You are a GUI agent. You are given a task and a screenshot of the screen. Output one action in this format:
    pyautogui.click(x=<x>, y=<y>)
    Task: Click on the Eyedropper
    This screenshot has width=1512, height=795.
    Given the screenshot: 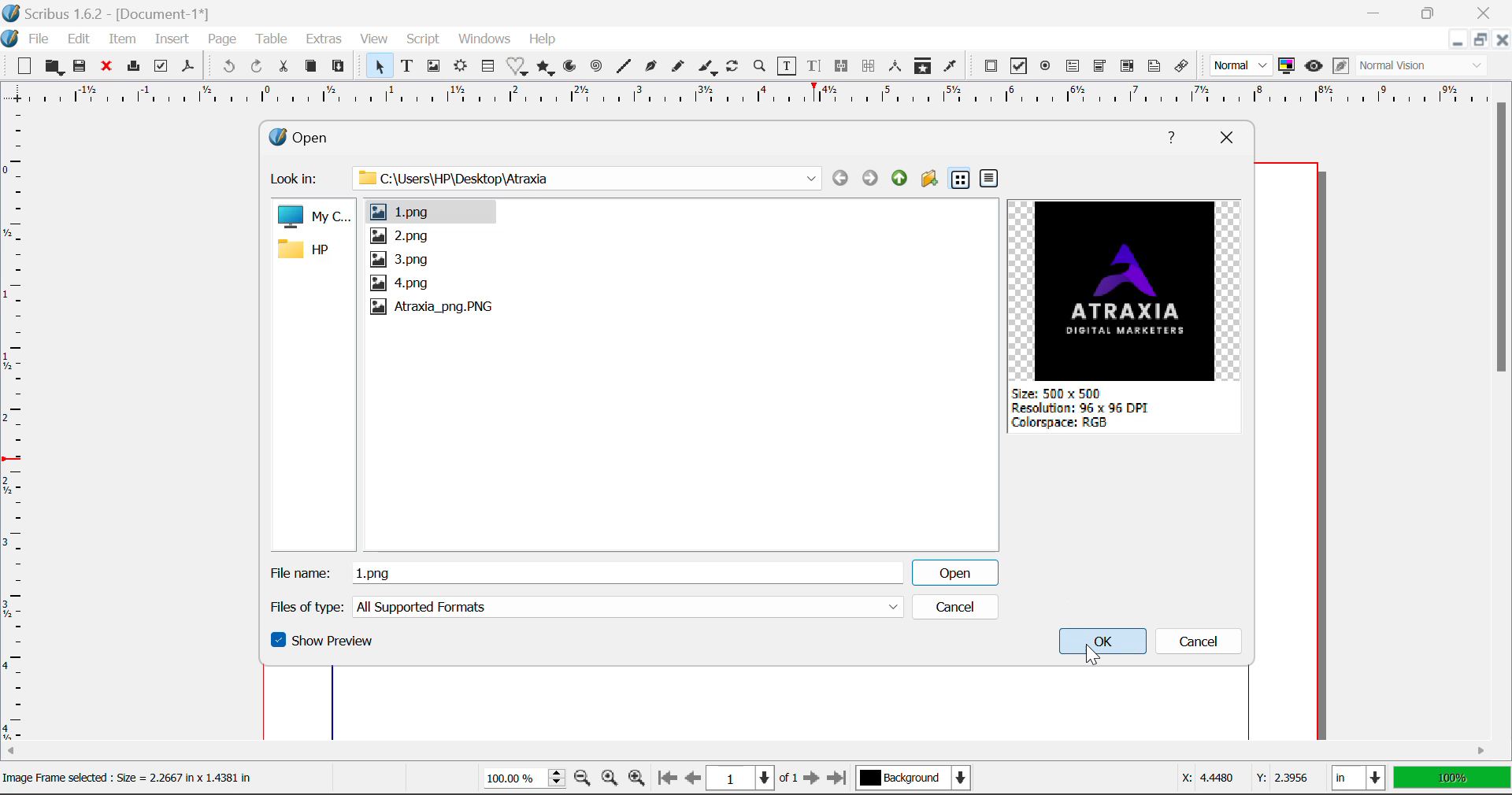 What is the action you would take?
    pyautogui.click(x=951, y=66)
    